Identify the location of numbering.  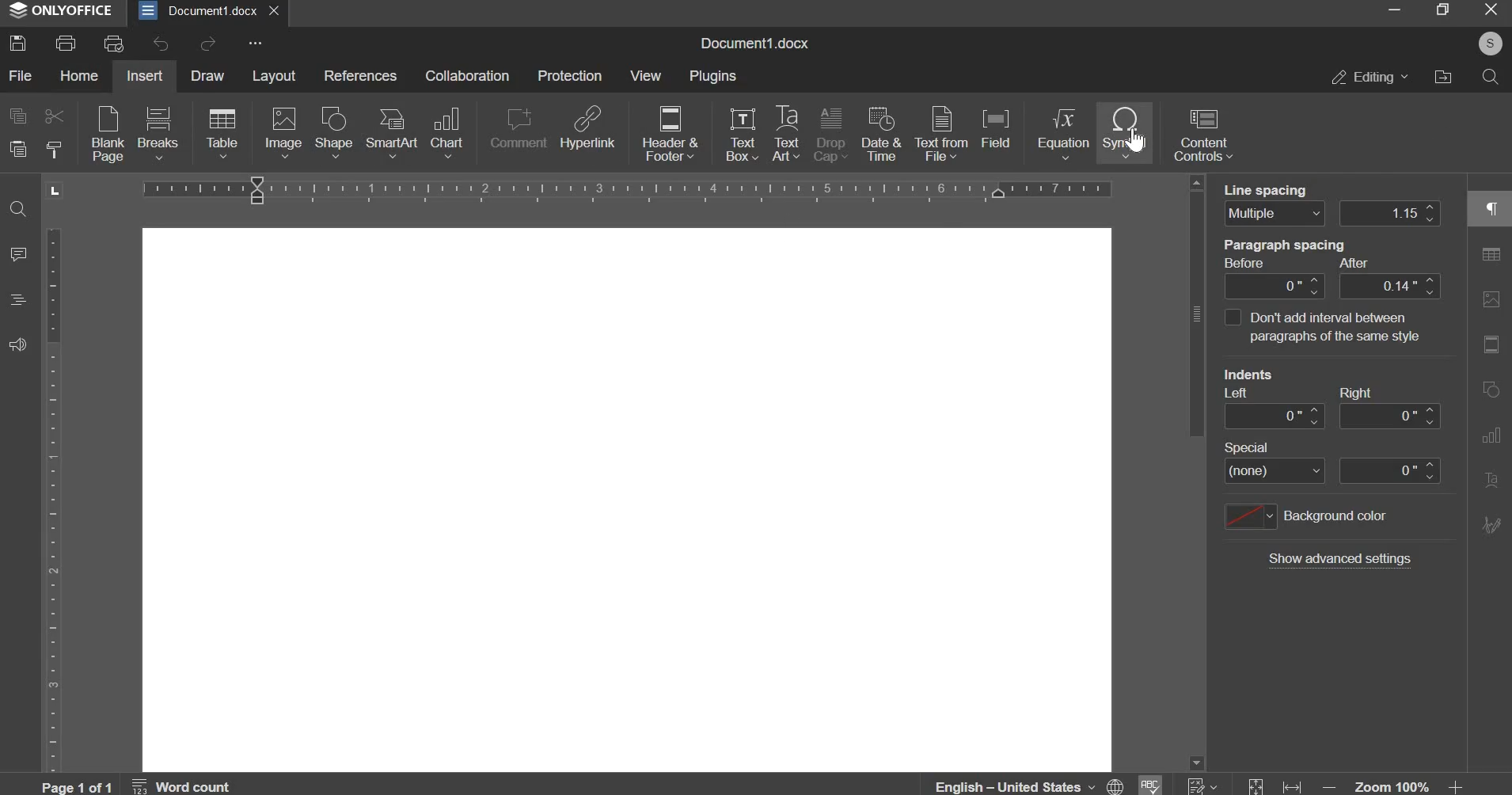
(1199, 785).